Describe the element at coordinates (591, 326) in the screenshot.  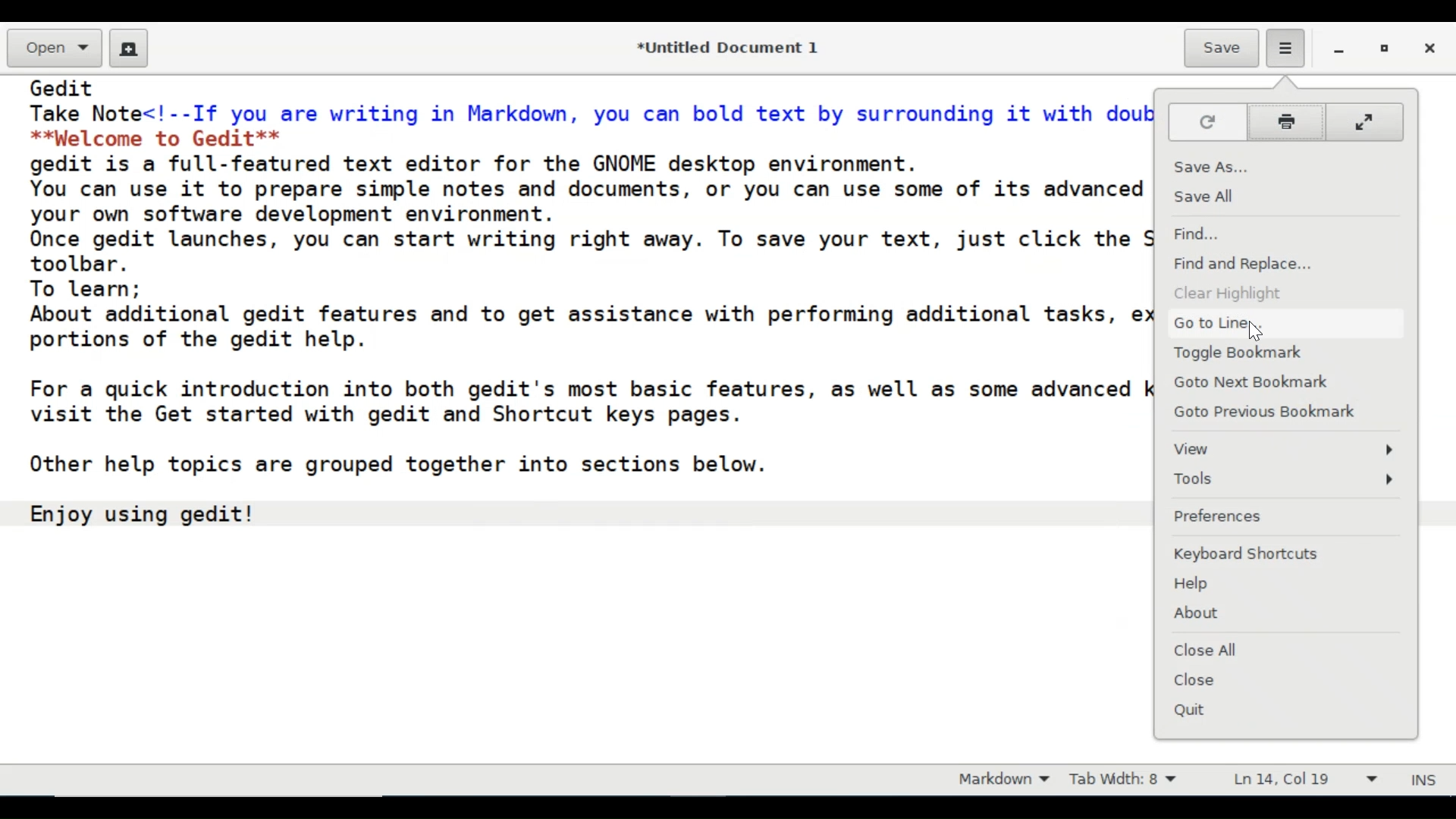
I see `About additional gedit features and to get assistance with performing additional tasks, explore the other
portions of the gedit help.` at that location.